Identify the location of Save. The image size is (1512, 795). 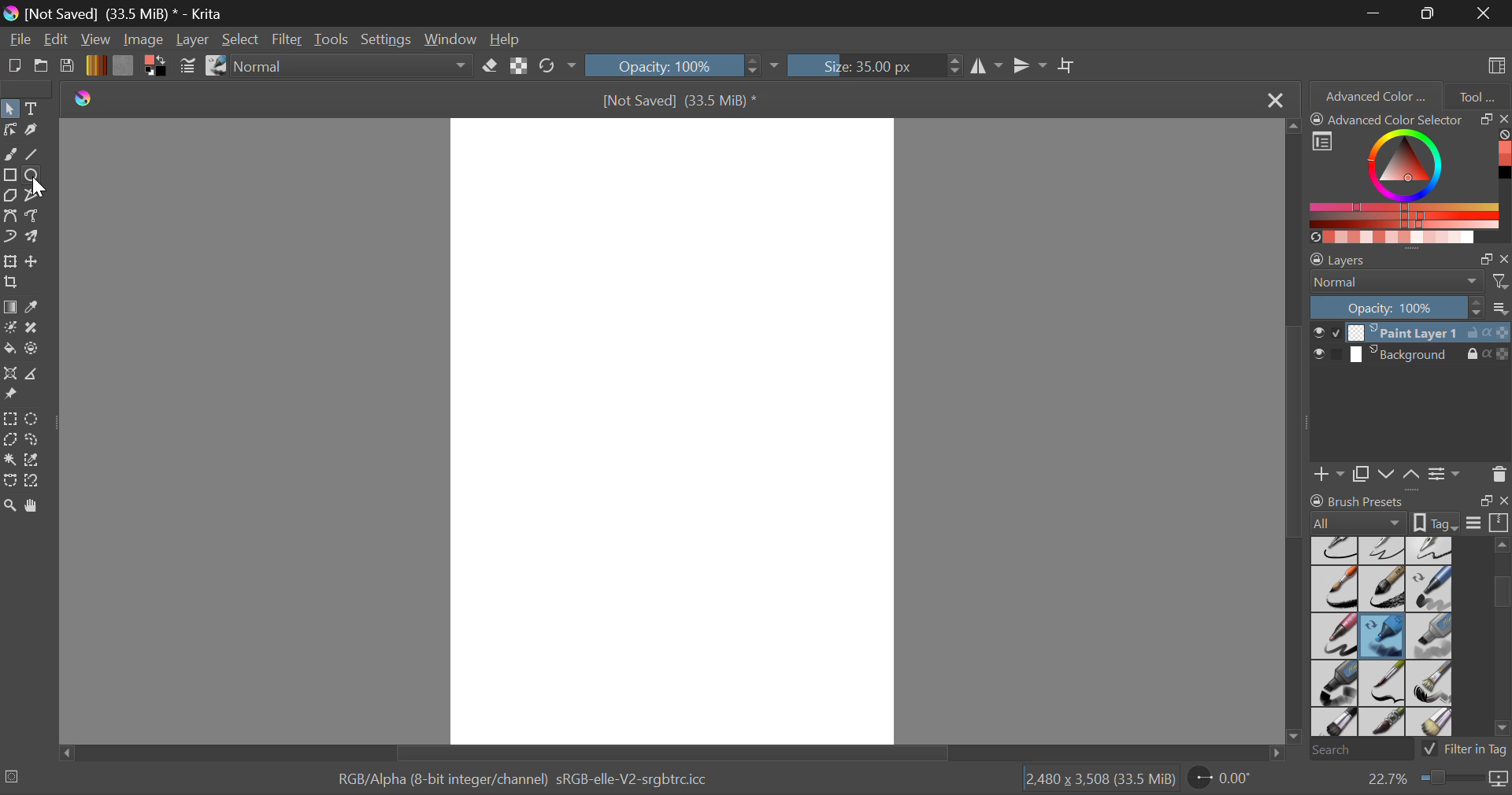
(68, 67).